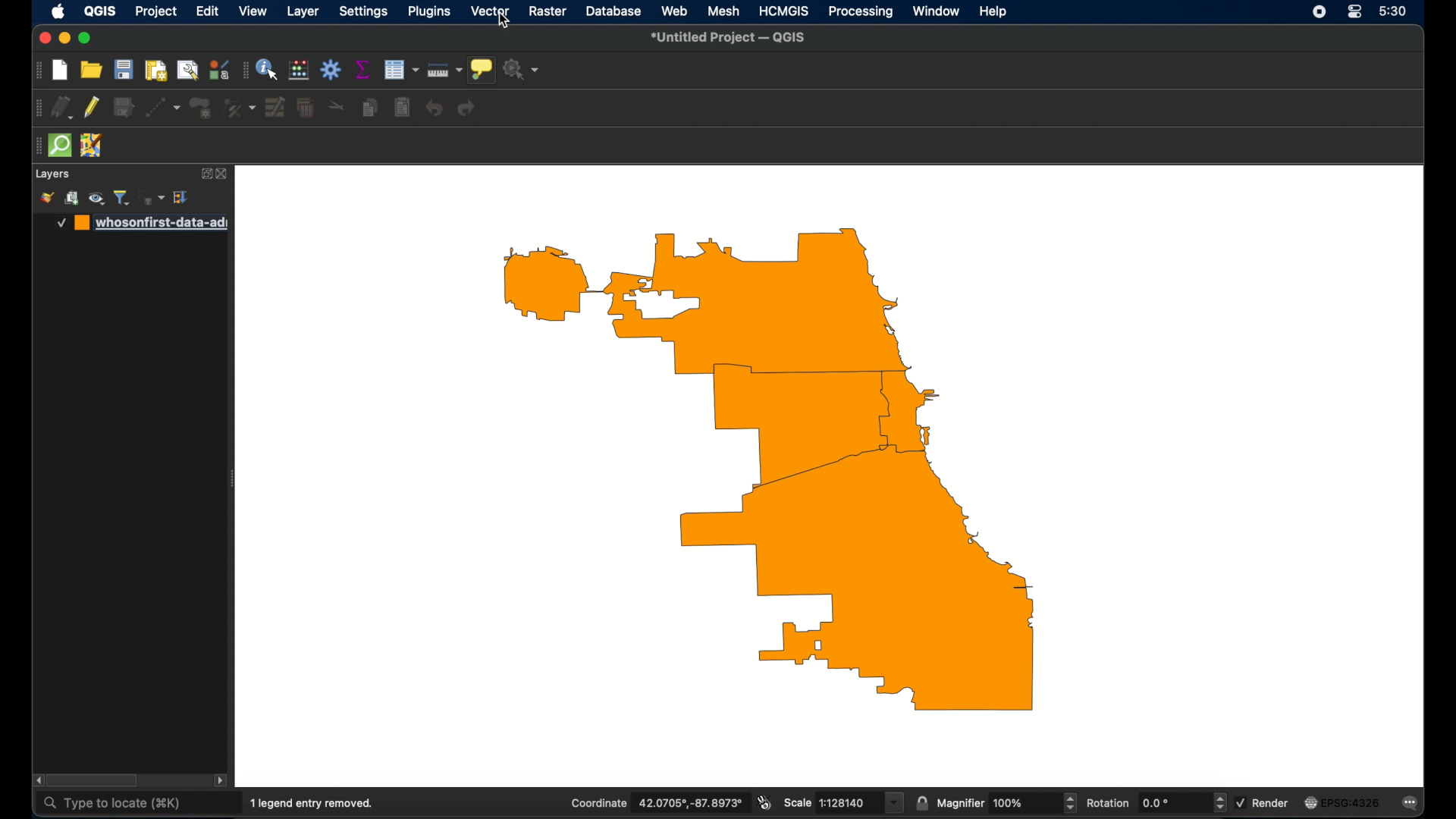 This screenshot has width=1456, height=819. Describe the element at coordinates (92, 69) in the screenshot. I see `open project` at that location.